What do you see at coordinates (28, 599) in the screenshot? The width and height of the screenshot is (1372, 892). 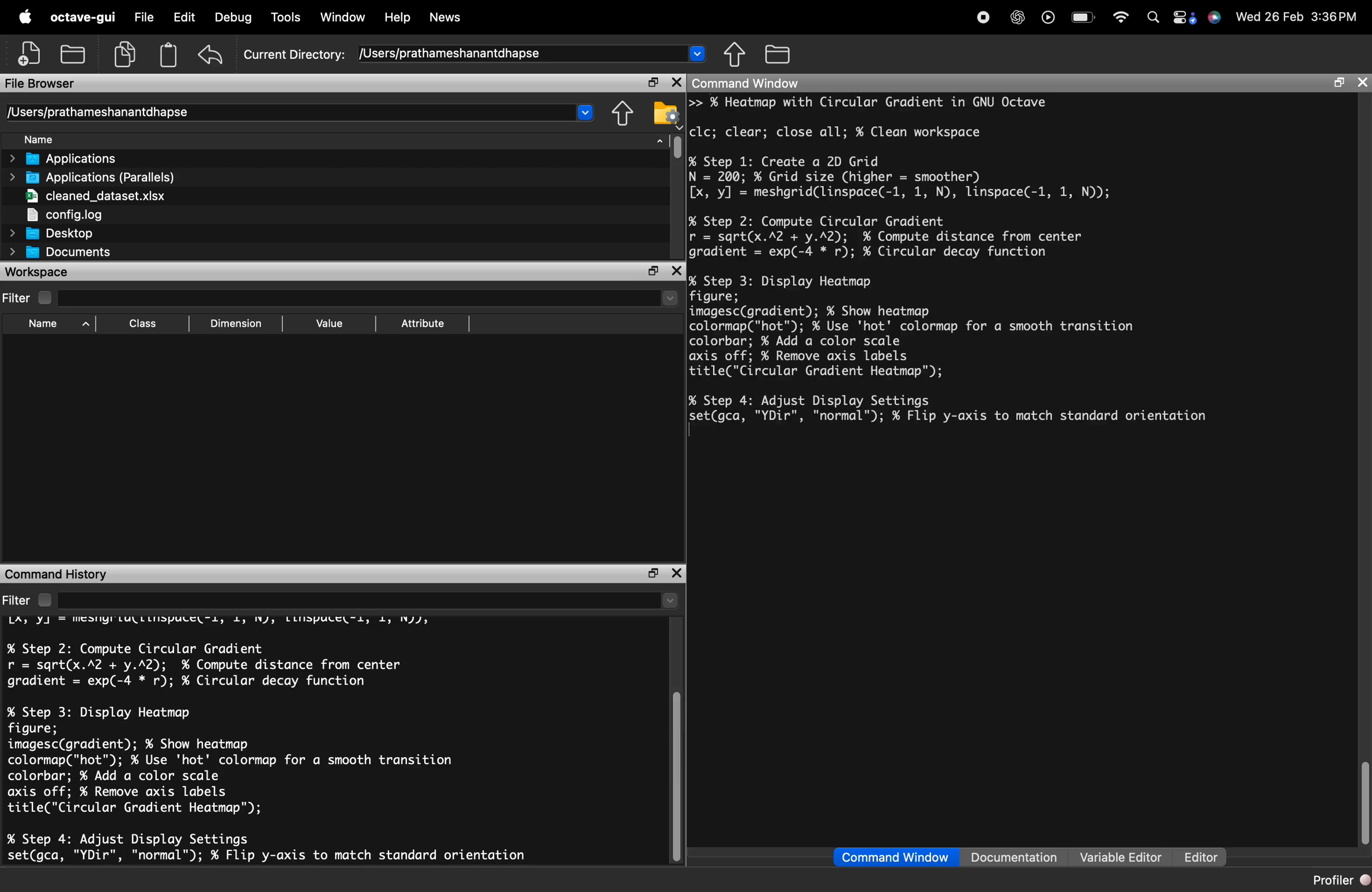 I see `Filter` at bounding box center [28, 599].